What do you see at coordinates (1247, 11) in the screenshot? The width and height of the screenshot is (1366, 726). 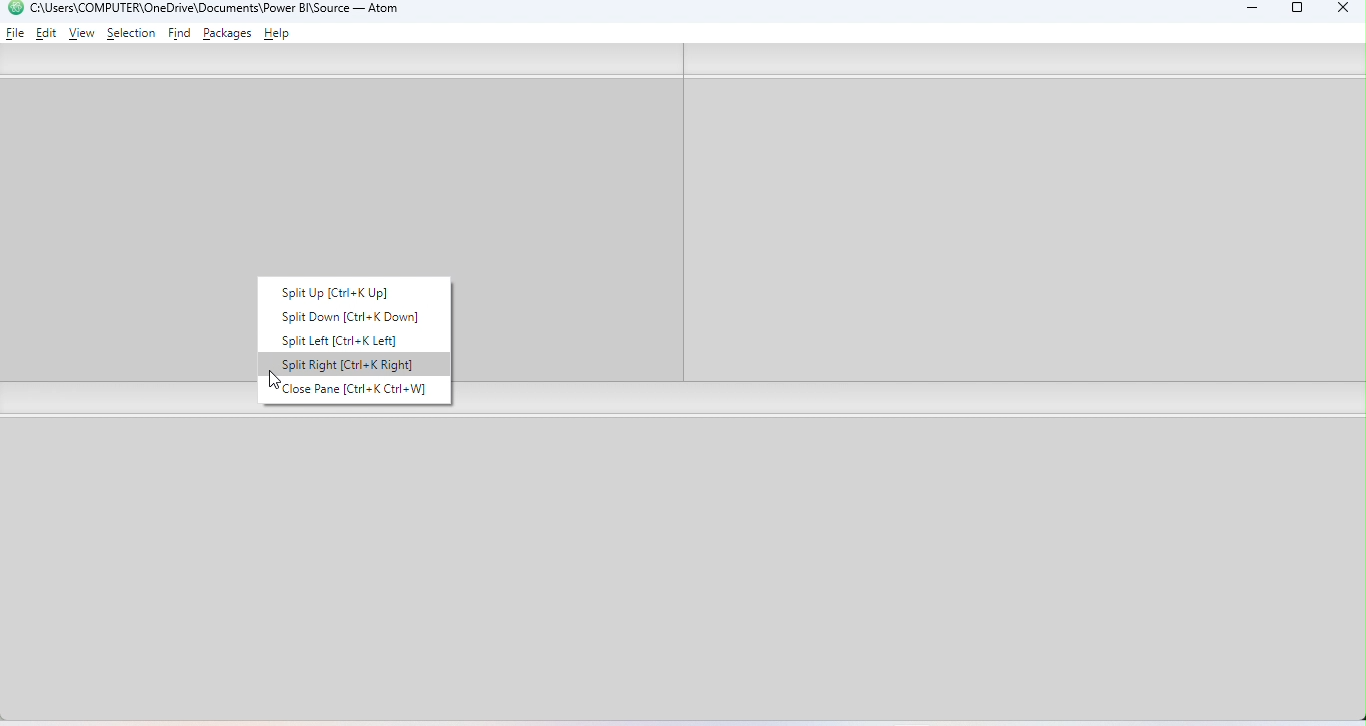 I see `Minimize` at bounding box center [1247, 11].